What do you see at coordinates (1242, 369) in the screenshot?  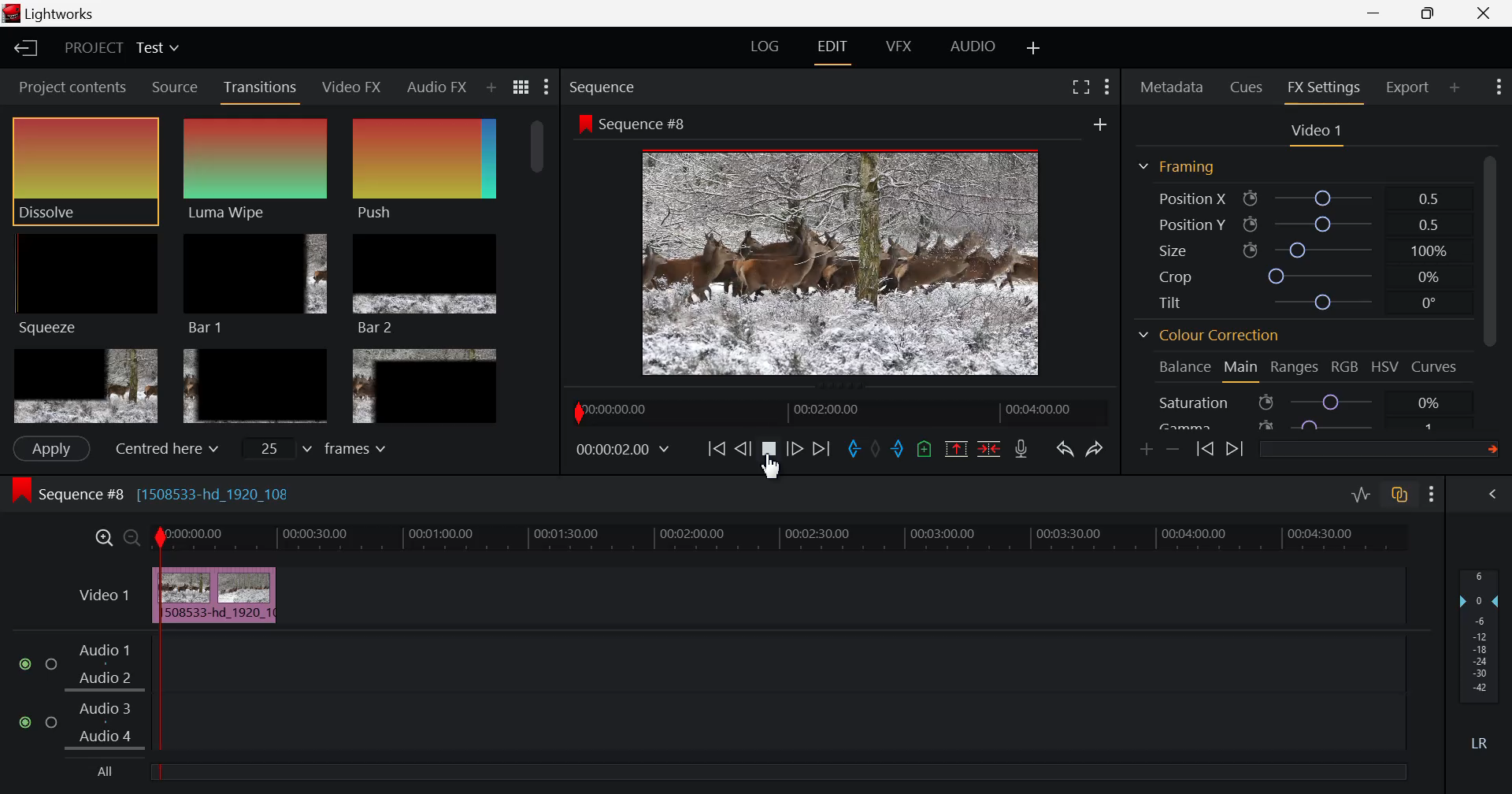 I see `Main Tab Open` at bounding box center [1242, 369].